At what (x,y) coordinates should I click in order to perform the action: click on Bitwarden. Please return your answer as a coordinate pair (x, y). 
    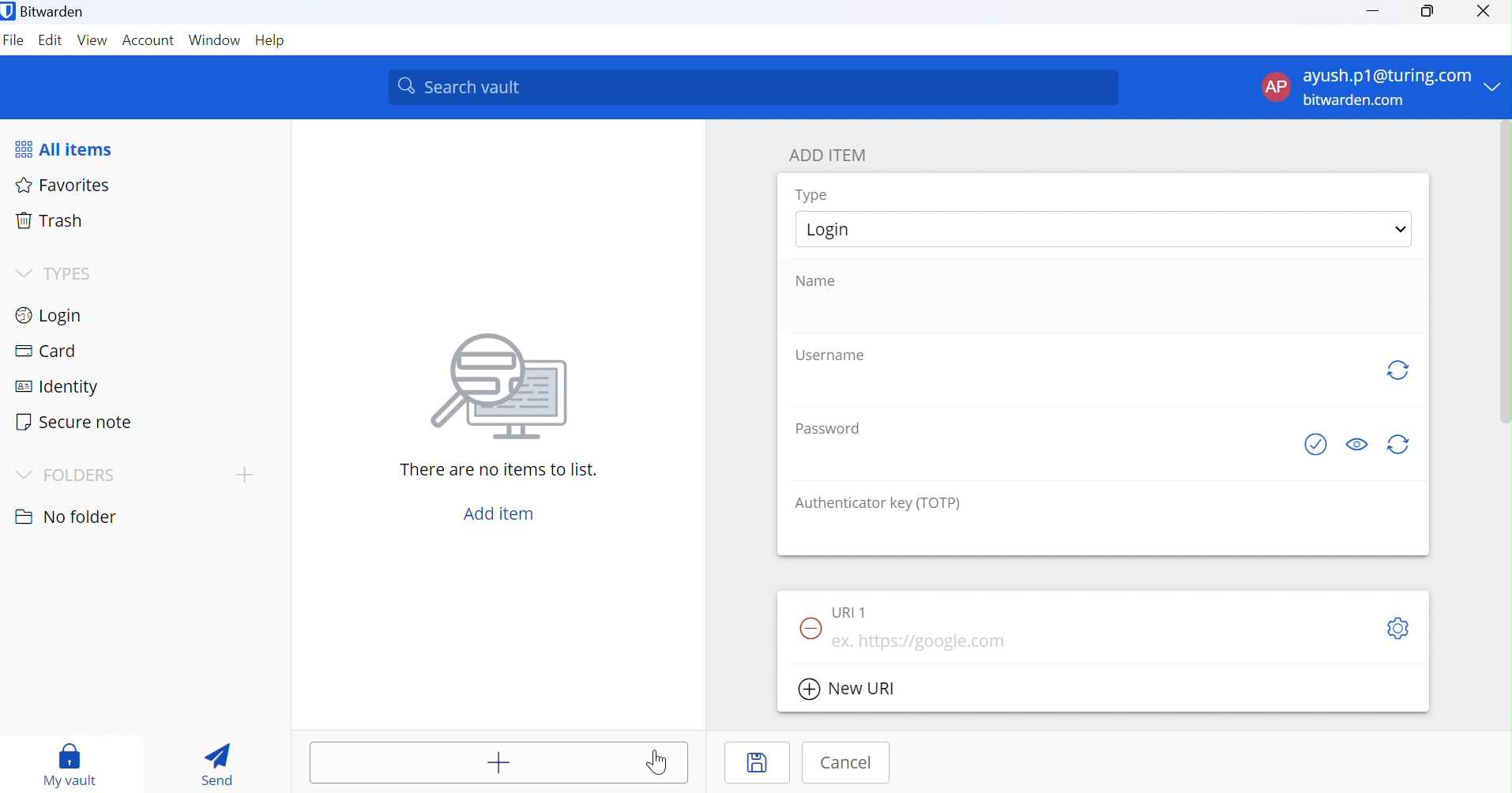
    Looking at the image, I should click on (45, 10).